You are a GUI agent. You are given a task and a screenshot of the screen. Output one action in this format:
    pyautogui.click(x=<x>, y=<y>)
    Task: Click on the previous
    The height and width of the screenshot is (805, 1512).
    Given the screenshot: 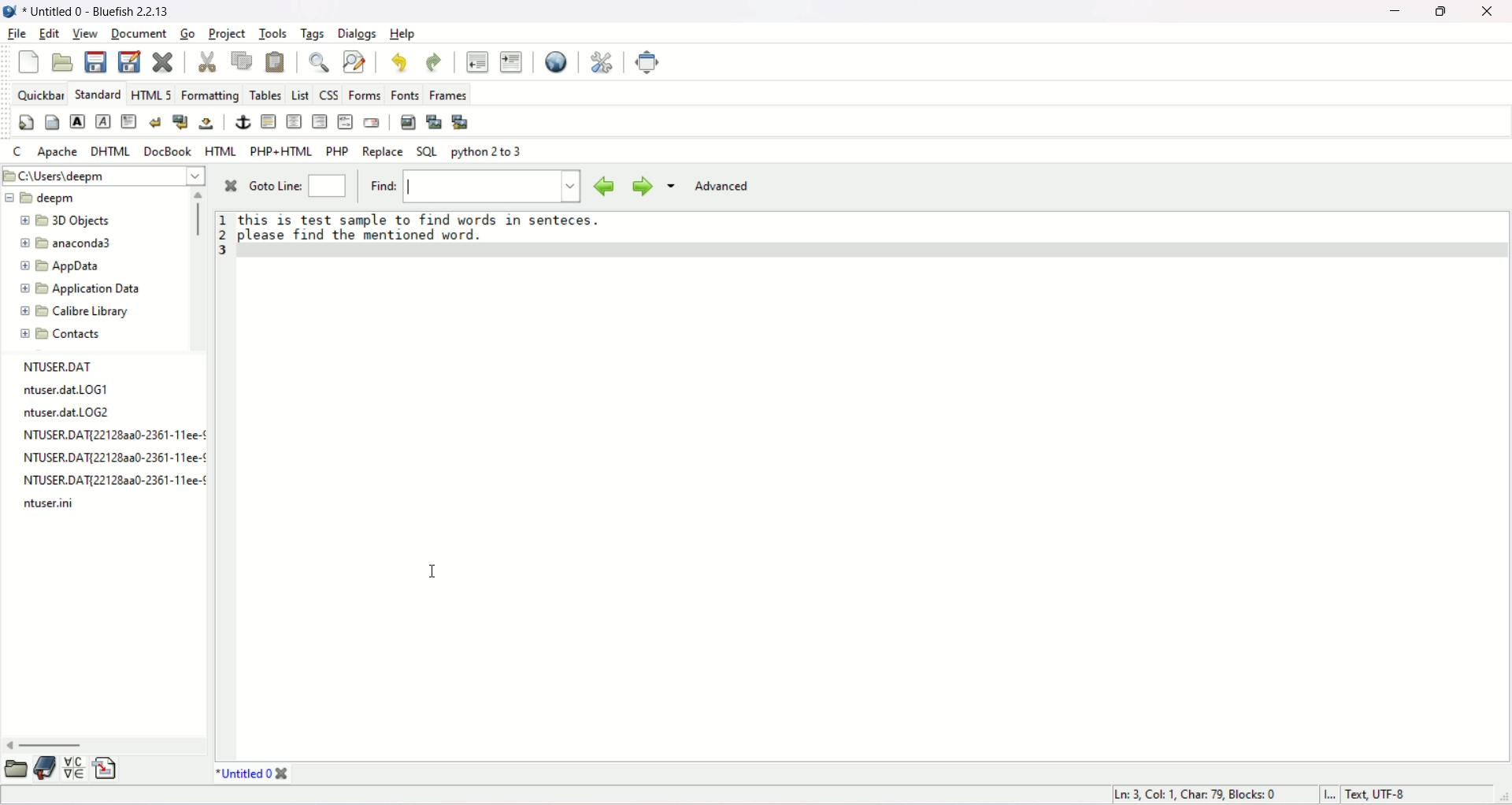 What is the action you would take?
    pyautogui.click(x=603, y=184)
    